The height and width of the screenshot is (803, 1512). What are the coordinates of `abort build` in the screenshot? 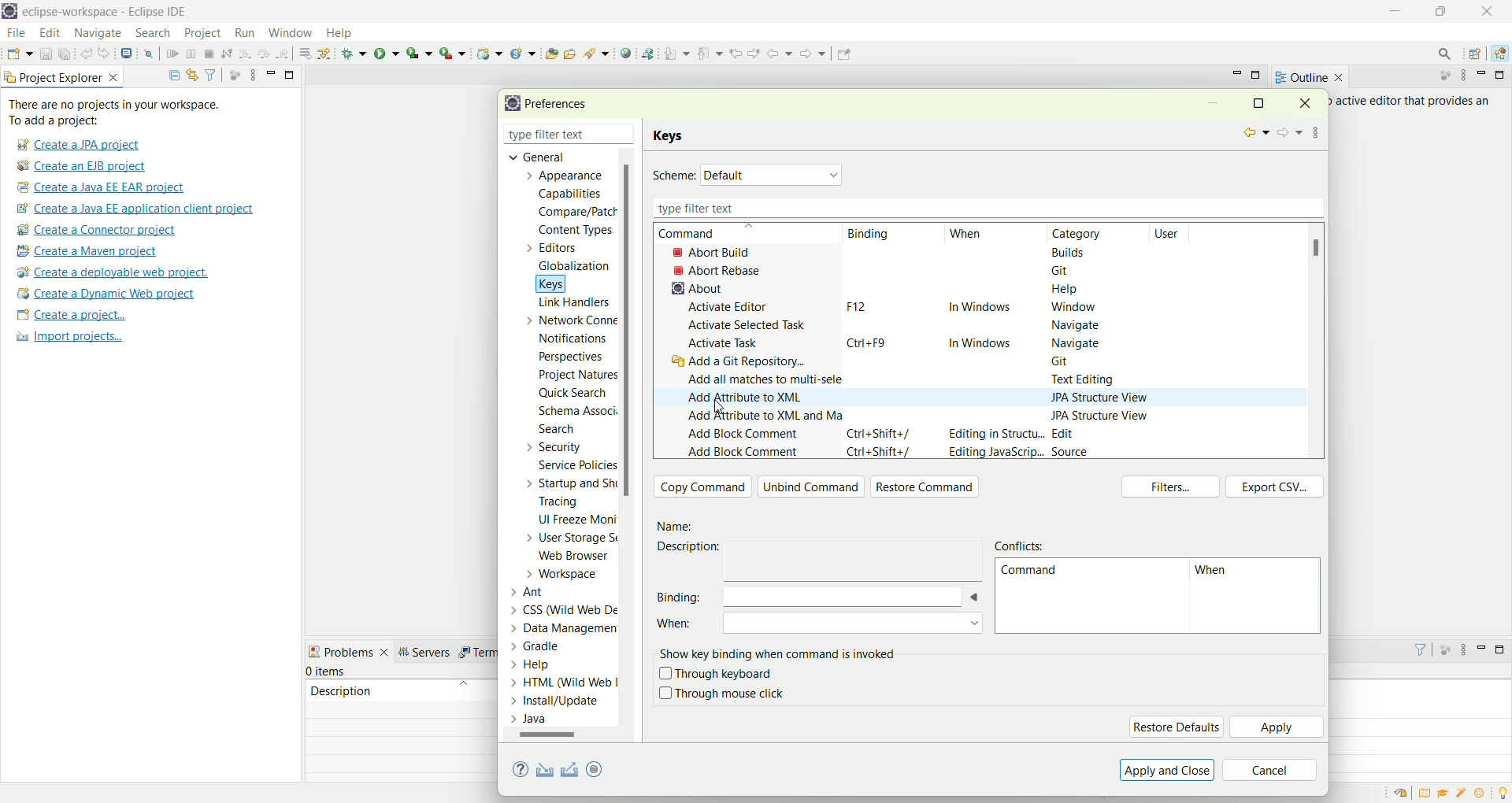 It's located at (725, 252).